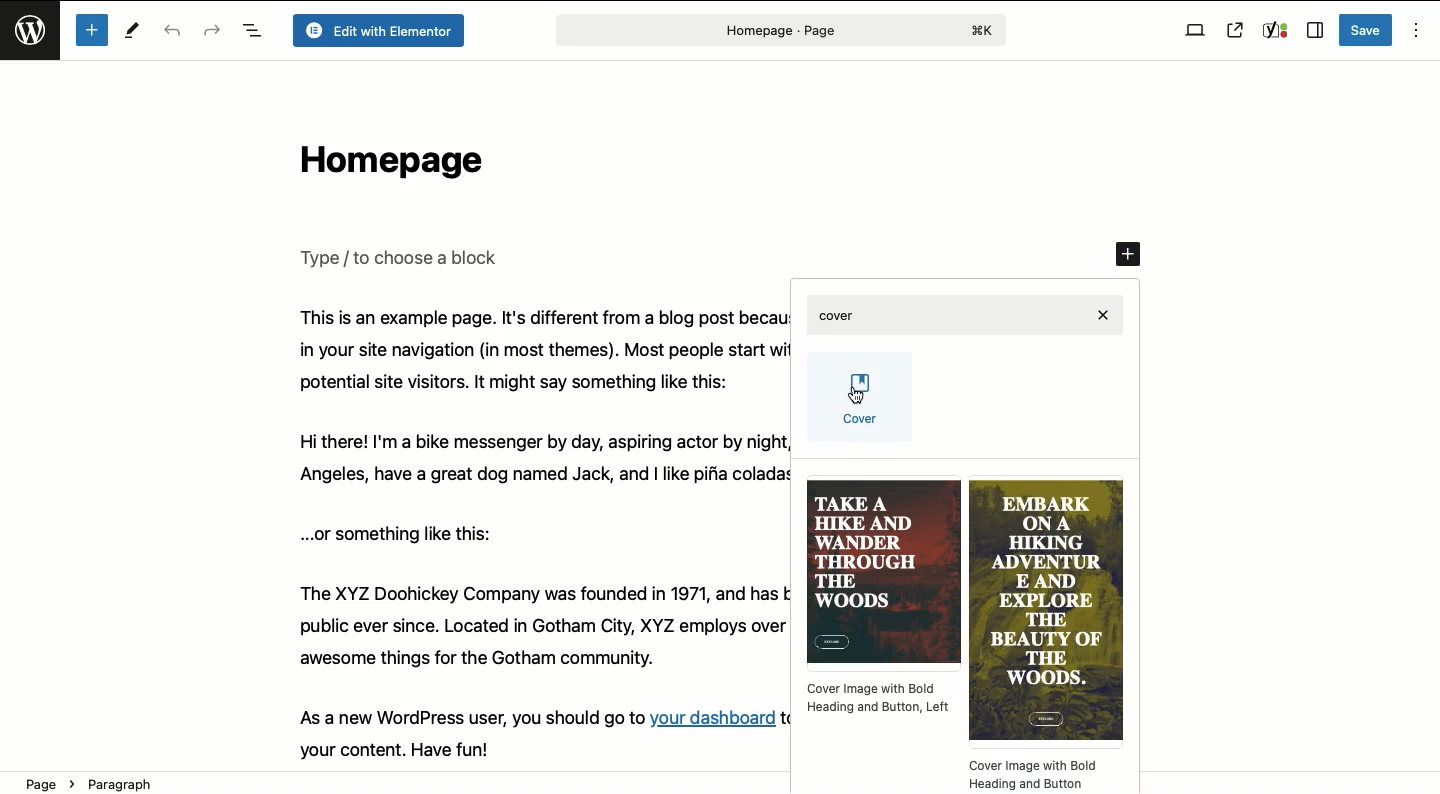 This screenshot has width=1440, height=794. I want to click on Choose a block, so click(403, 257).